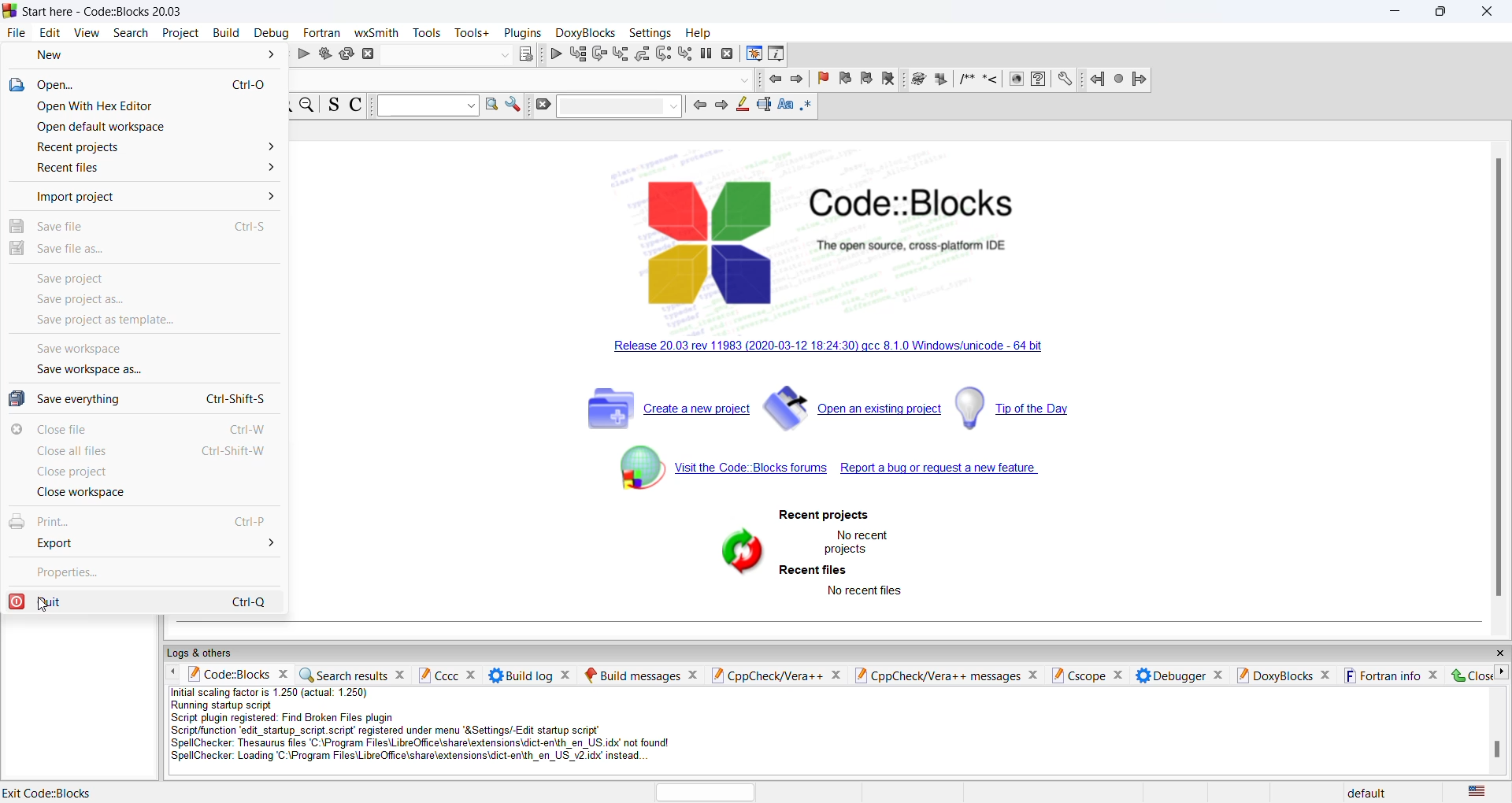 The height and width of the screenshot is (803, 1512). I want to click on codeblocks pane, so click(228, 675).